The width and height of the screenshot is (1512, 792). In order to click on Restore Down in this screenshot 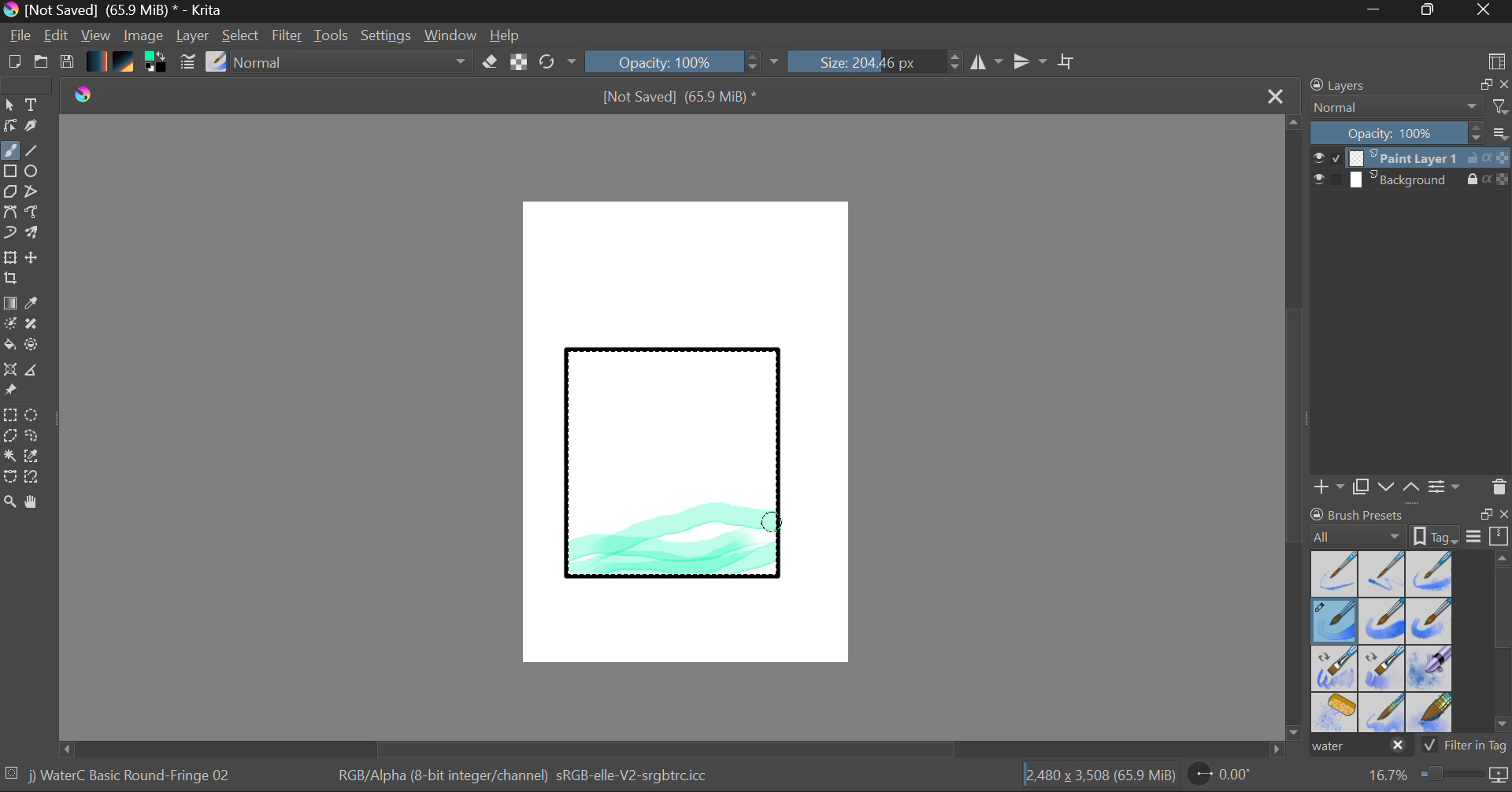, I will do `click(1379, 11)`.